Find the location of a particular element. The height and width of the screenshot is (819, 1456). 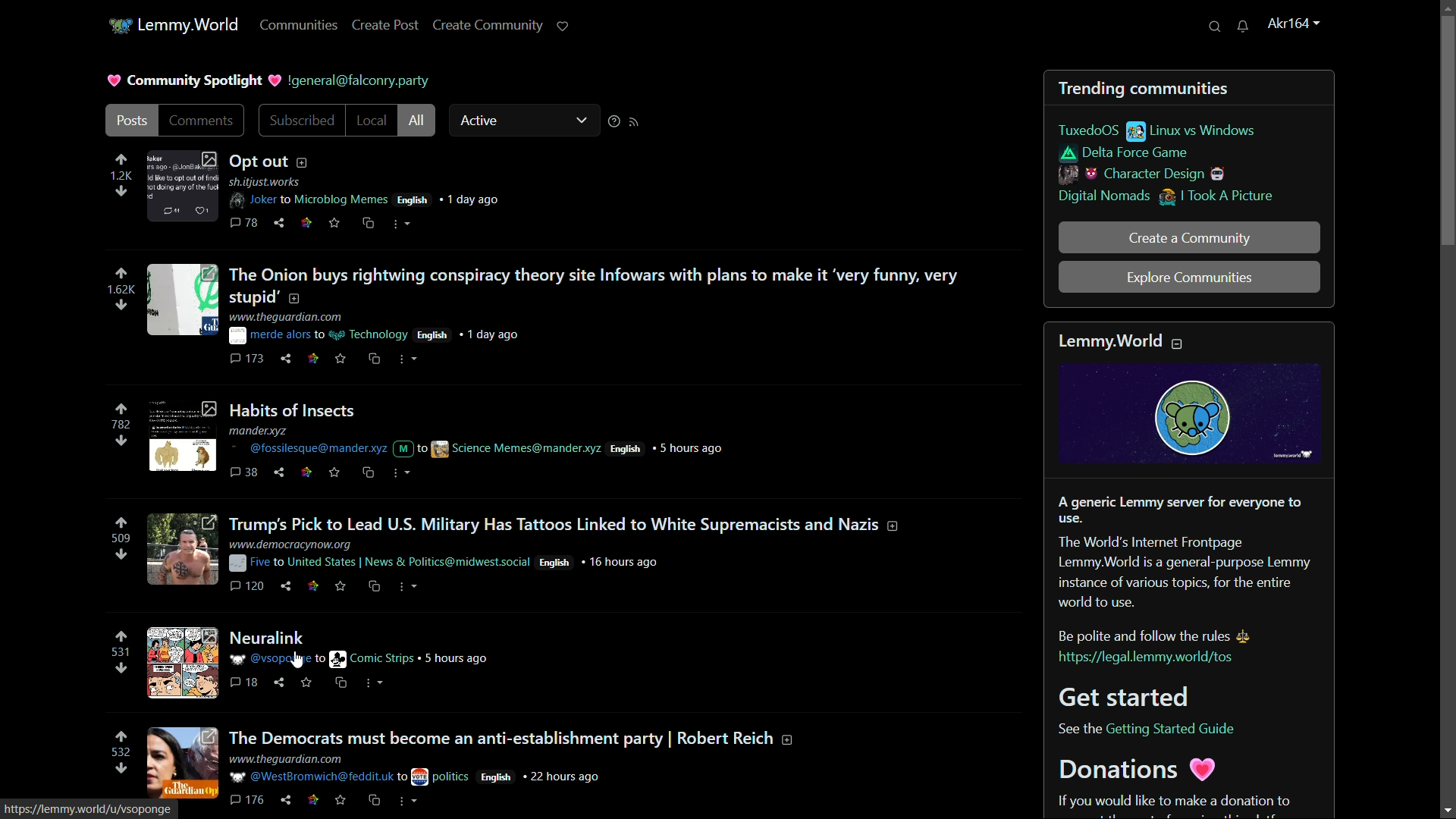

downvote is located at coordinates (120, 553).